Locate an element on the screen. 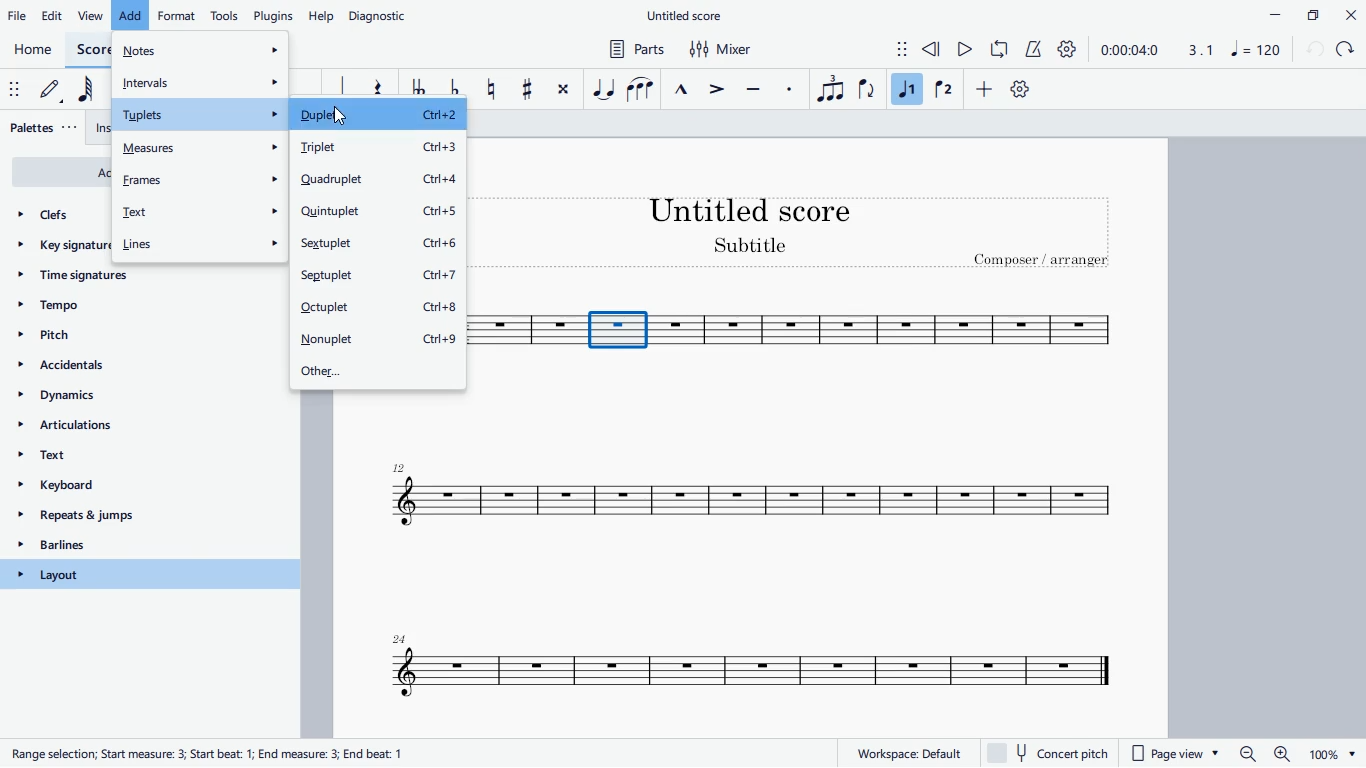  key signatures is located at coordinates (61, 250).